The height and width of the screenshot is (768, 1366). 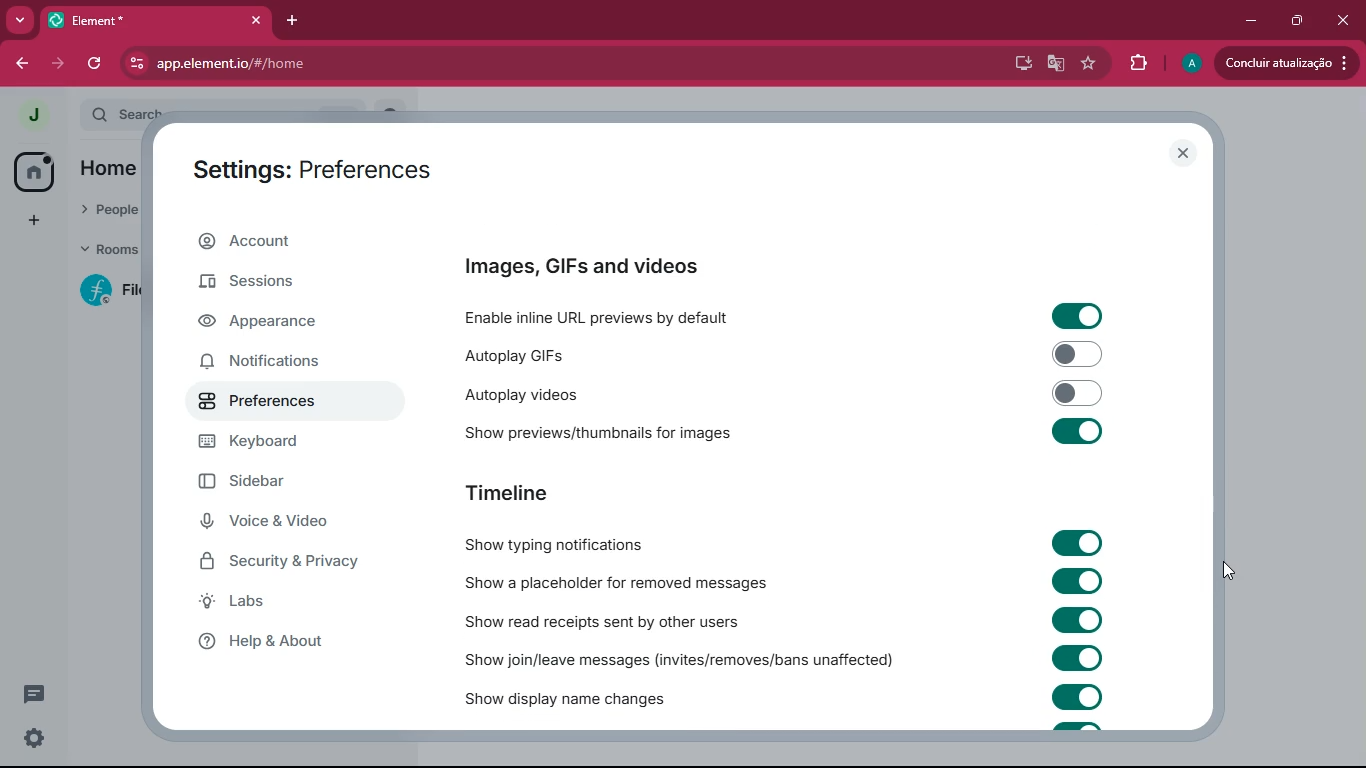 I want to click on toggle on/off, so click(x=1077, y=696).